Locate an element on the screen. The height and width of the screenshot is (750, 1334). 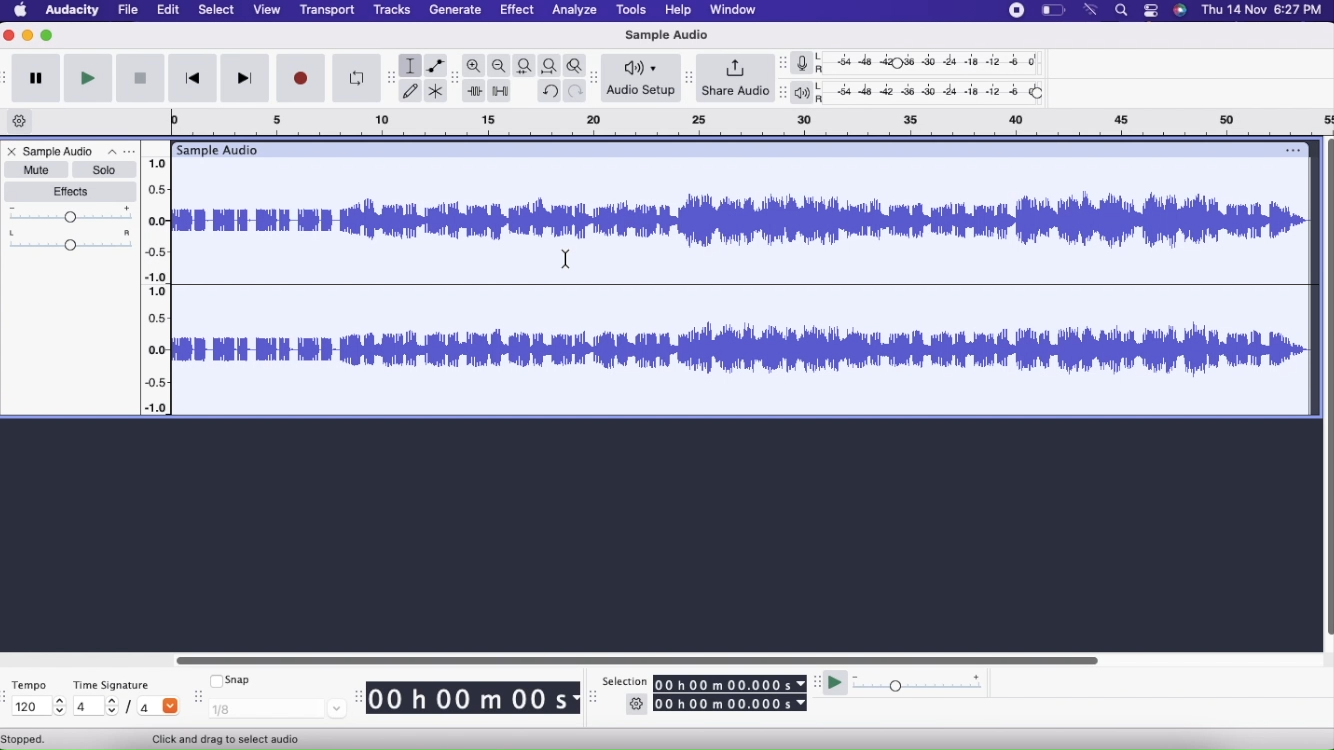
Close is located at coordinates (9, 37).